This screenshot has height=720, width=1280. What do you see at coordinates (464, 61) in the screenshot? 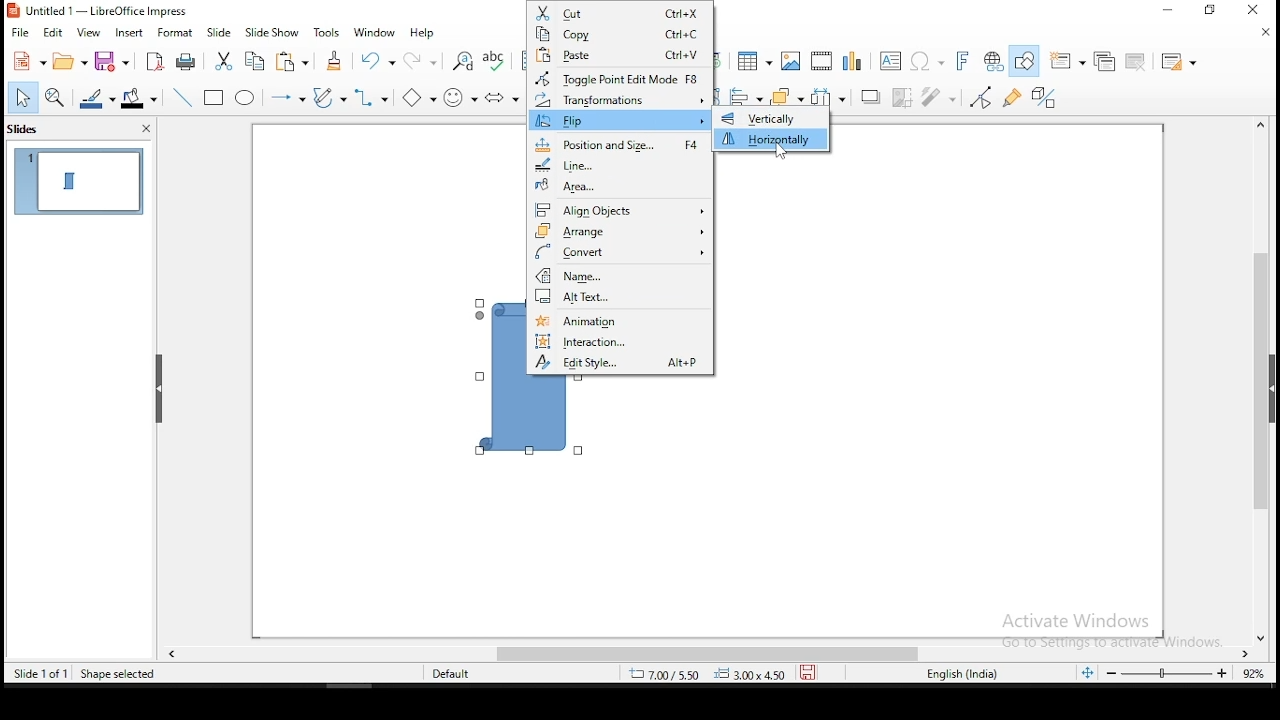
I see `find and replace` at bounding box center [464, 61].